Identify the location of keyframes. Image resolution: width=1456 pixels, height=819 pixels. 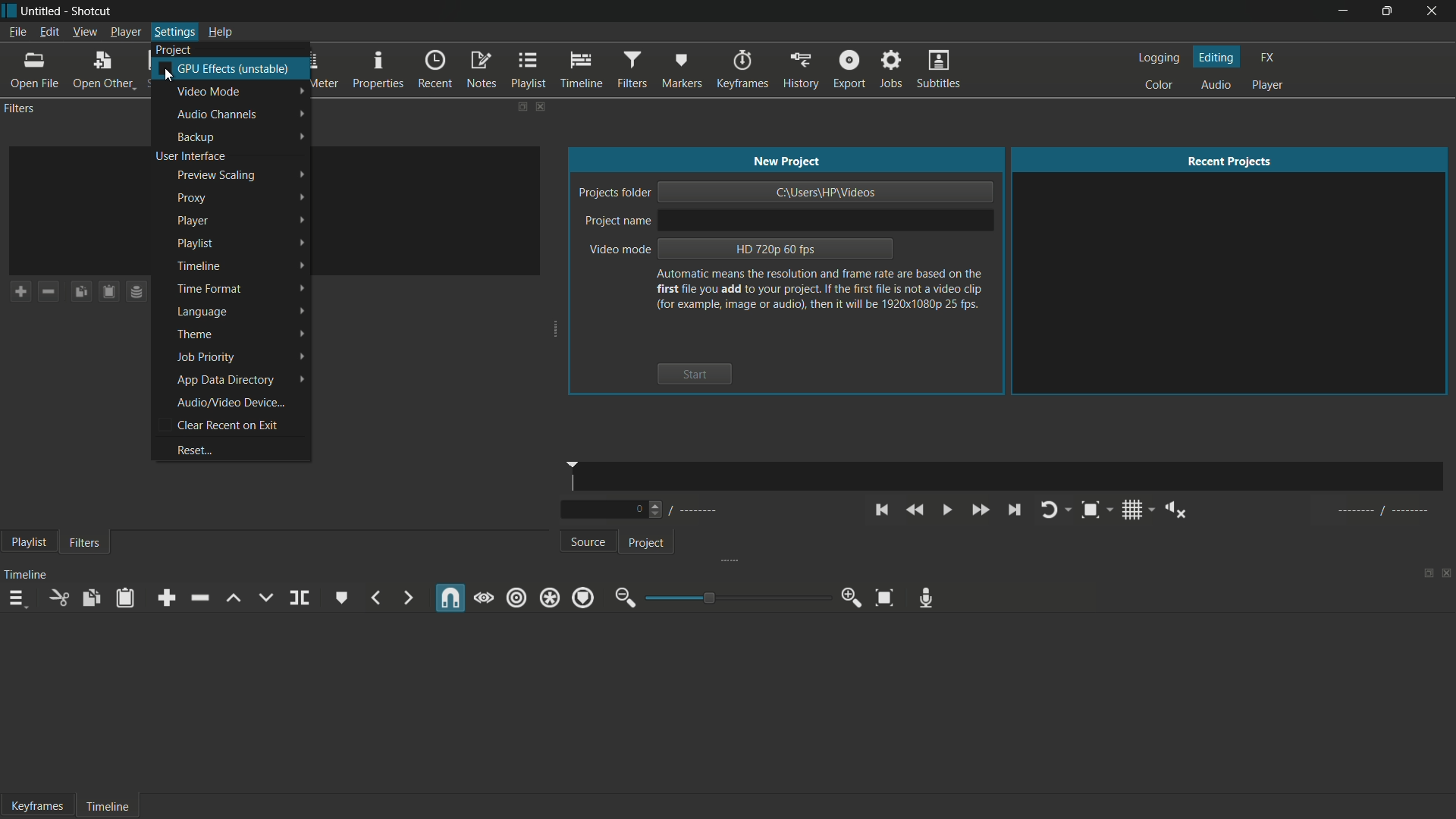
(741, 70).